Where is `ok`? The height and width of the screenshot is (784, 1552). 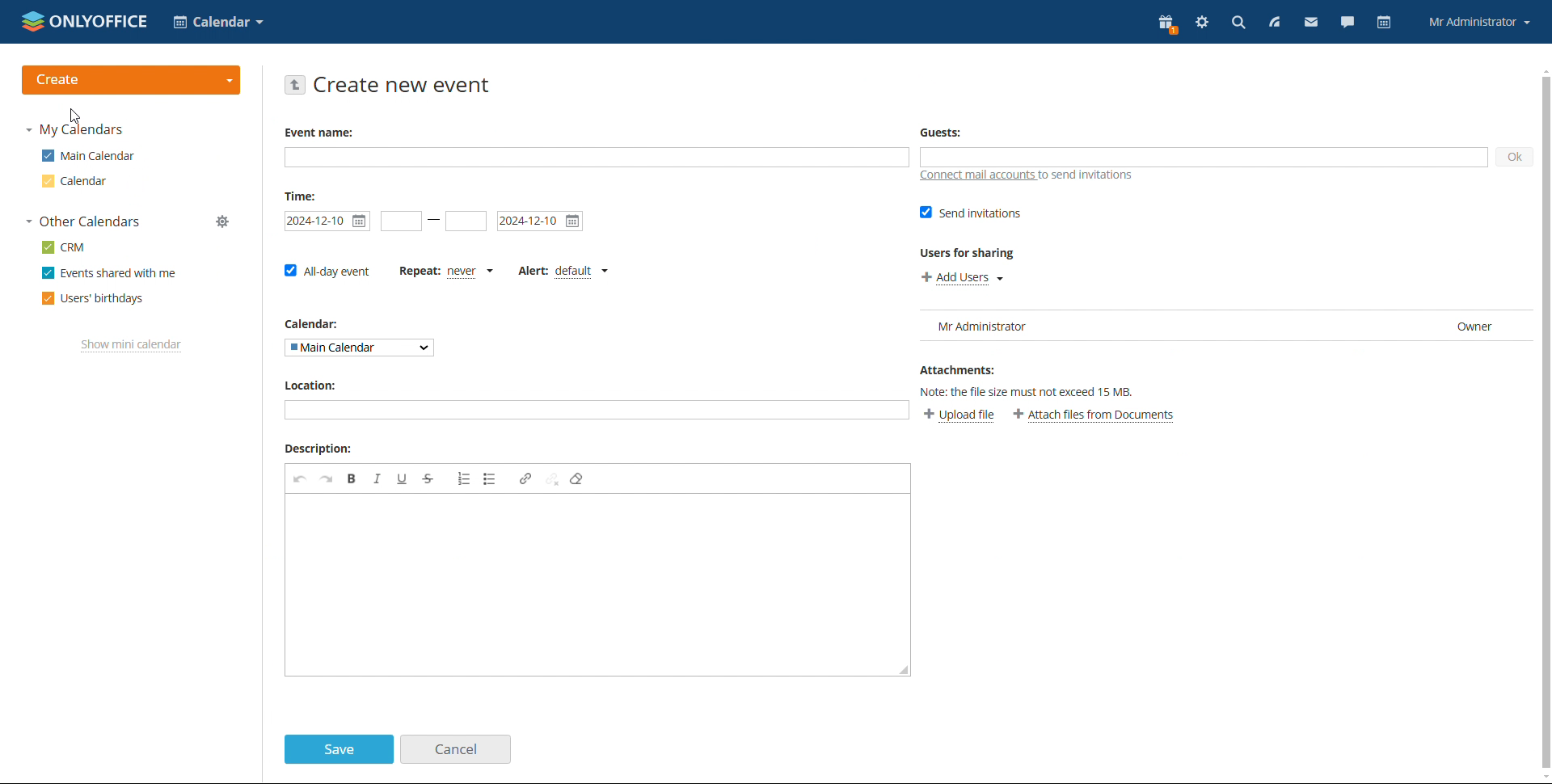 ok is located at coordinates (1514, 157).